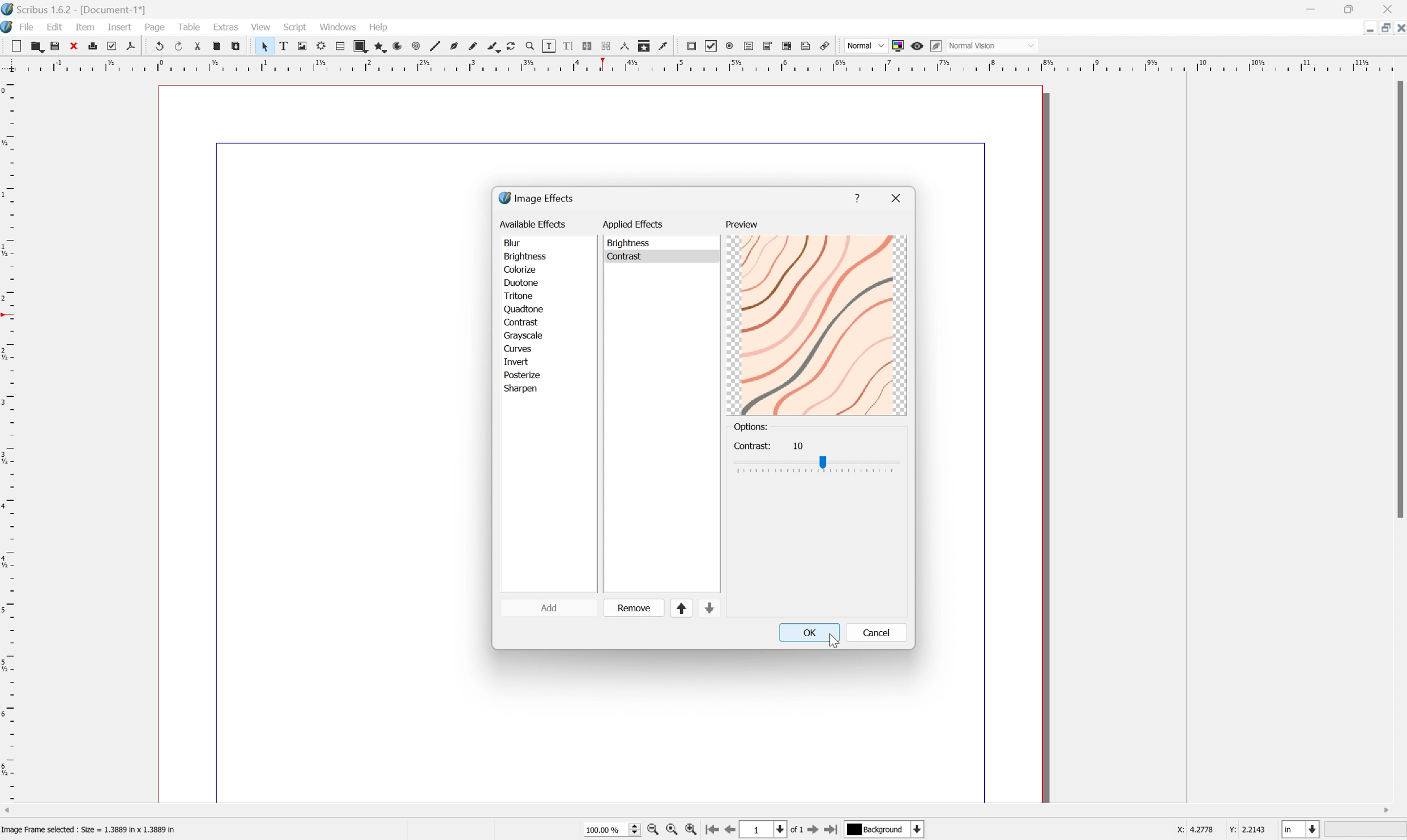 The width and height of the screenshot is (1407, 840). I want to click on applied effects, so click(634, 222).